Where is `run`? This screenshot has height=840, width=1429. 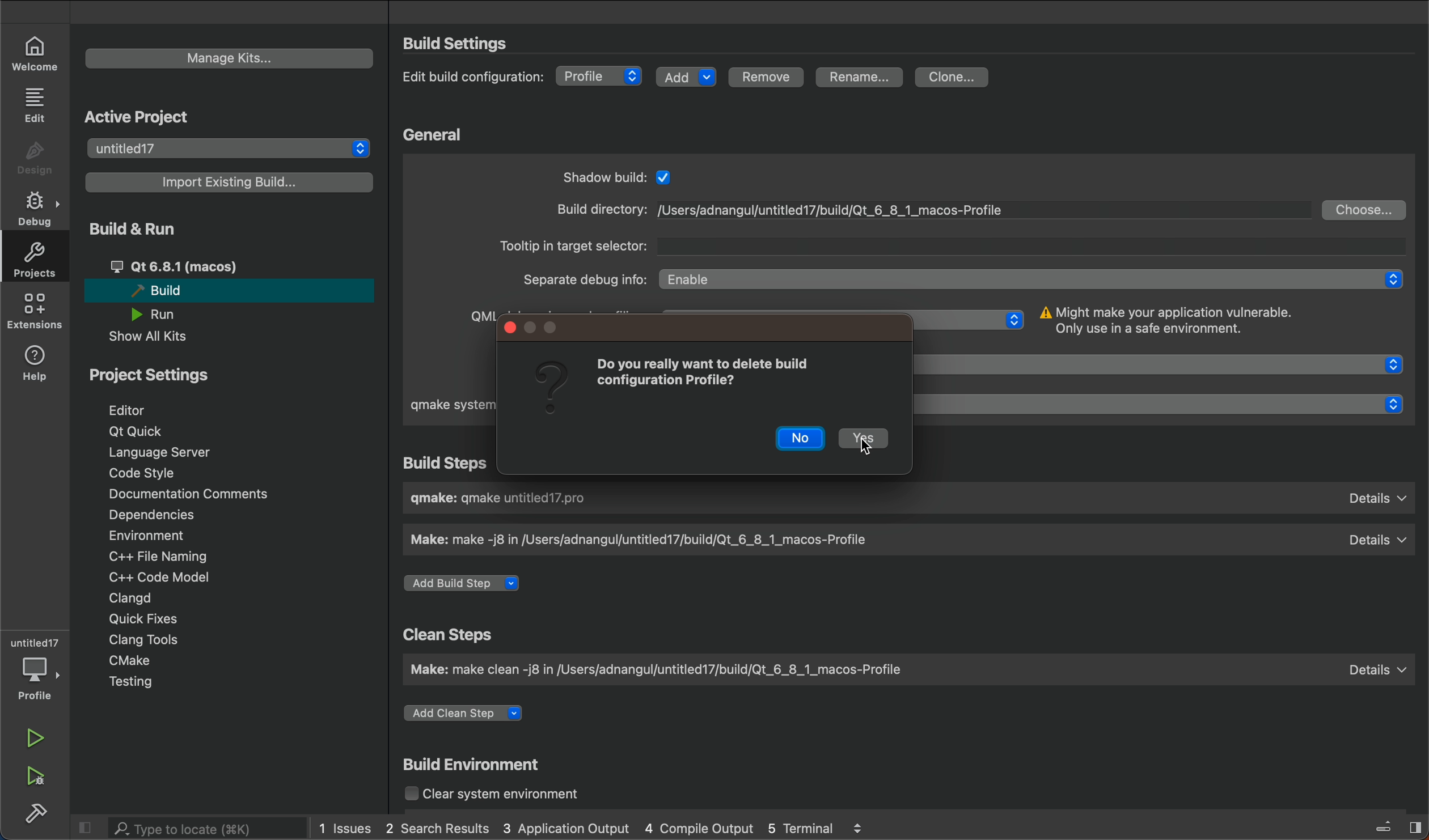
run is located at coordinates (36, 736).